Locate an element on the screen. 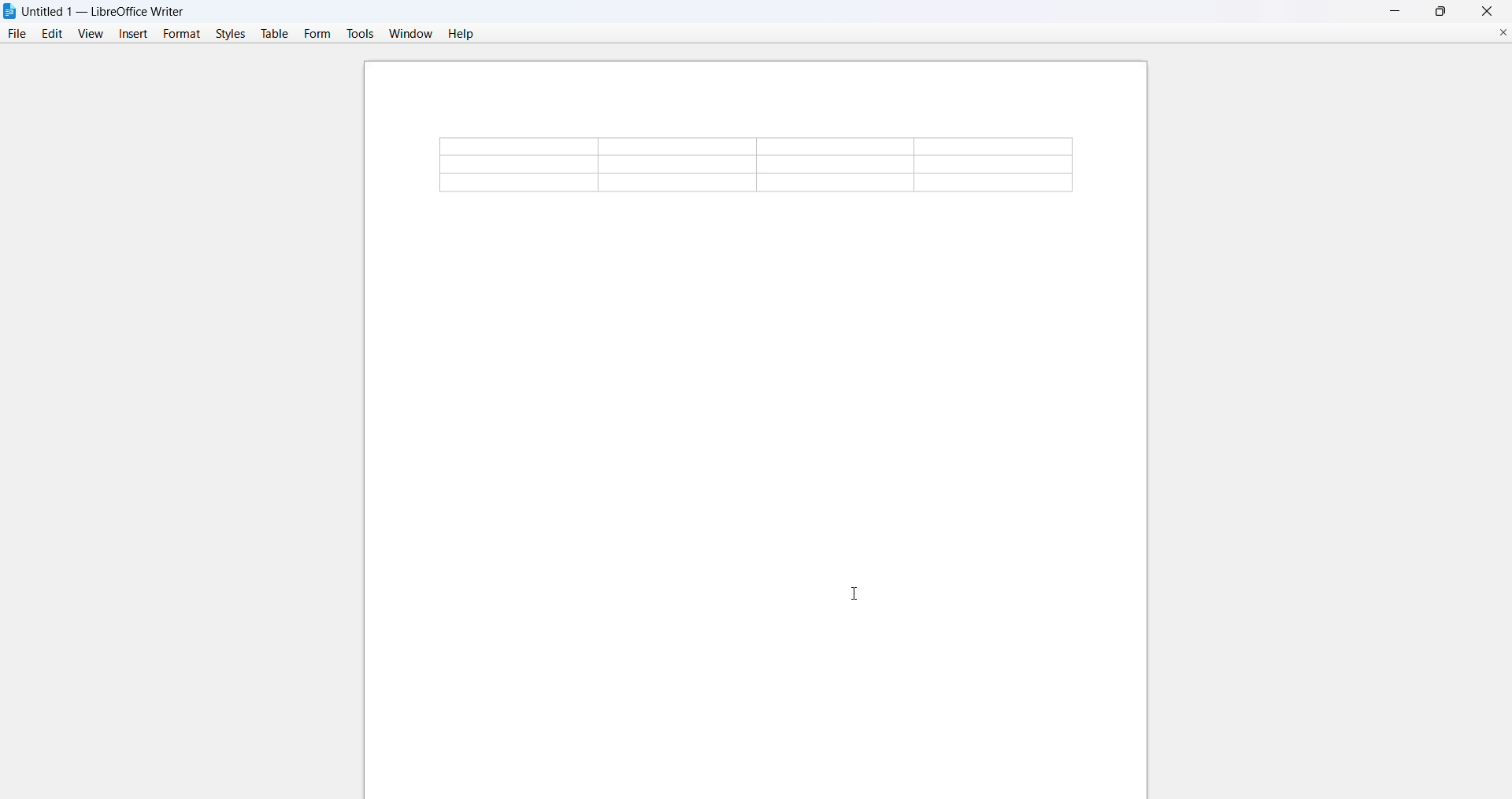 Image resolution: width=1512 pixels, height=799 pixels. table with 3 rows and 4 columns is located at coordinates (756, 165).